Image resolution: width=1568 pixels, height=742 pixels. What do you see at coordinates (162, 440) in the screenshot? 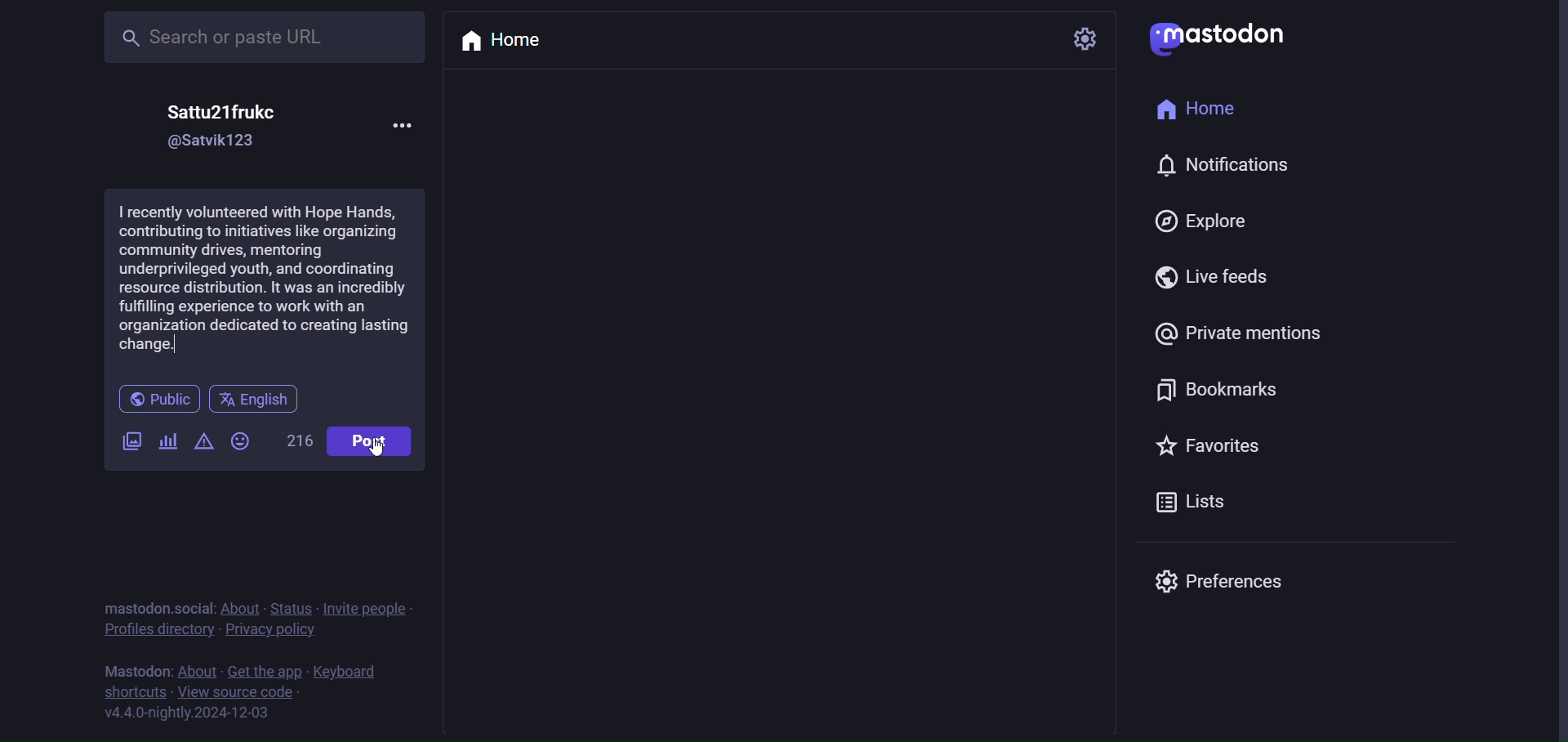
I see `poll` at bounding box center [162, 440].